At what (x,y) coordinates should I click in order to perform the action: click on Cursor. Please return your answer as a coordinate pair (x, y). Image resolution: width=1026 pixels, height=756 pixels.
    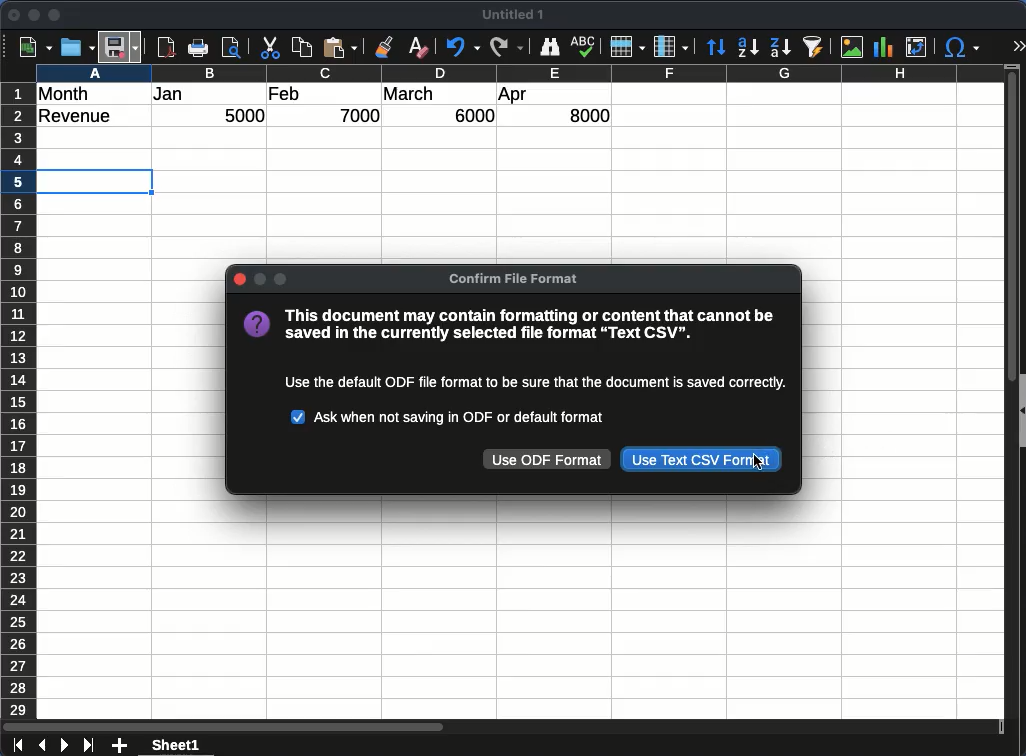
    Looking at the image, I should click on (755, 463).